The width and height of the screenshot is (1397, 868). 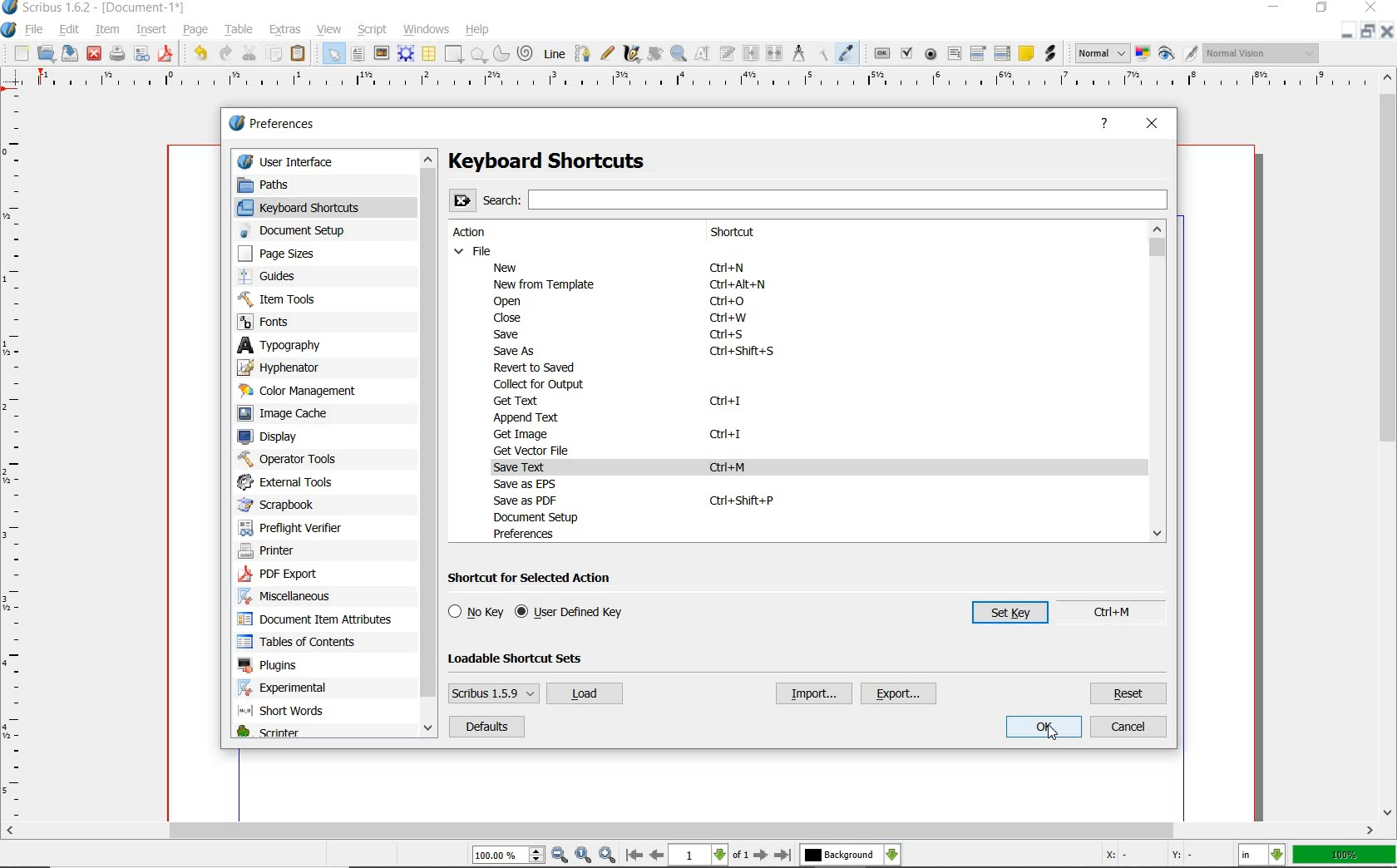 What do you see at coordinates (326, 160) in the screenshot?
I see `user interface` at bounding box center [326, 160].